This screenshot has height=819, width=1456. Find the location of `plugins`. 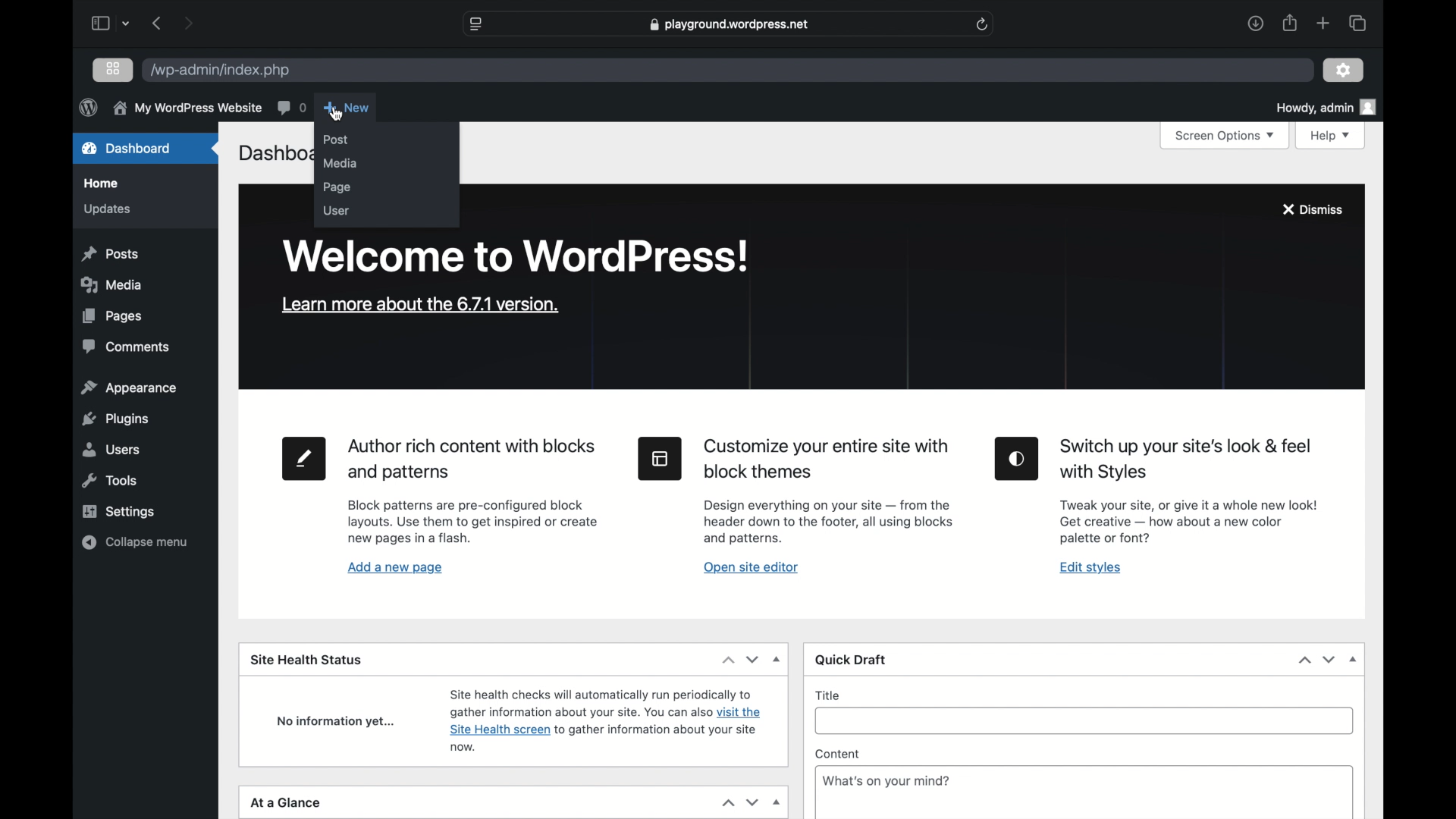

plugins is located at coordinates (115, 419).